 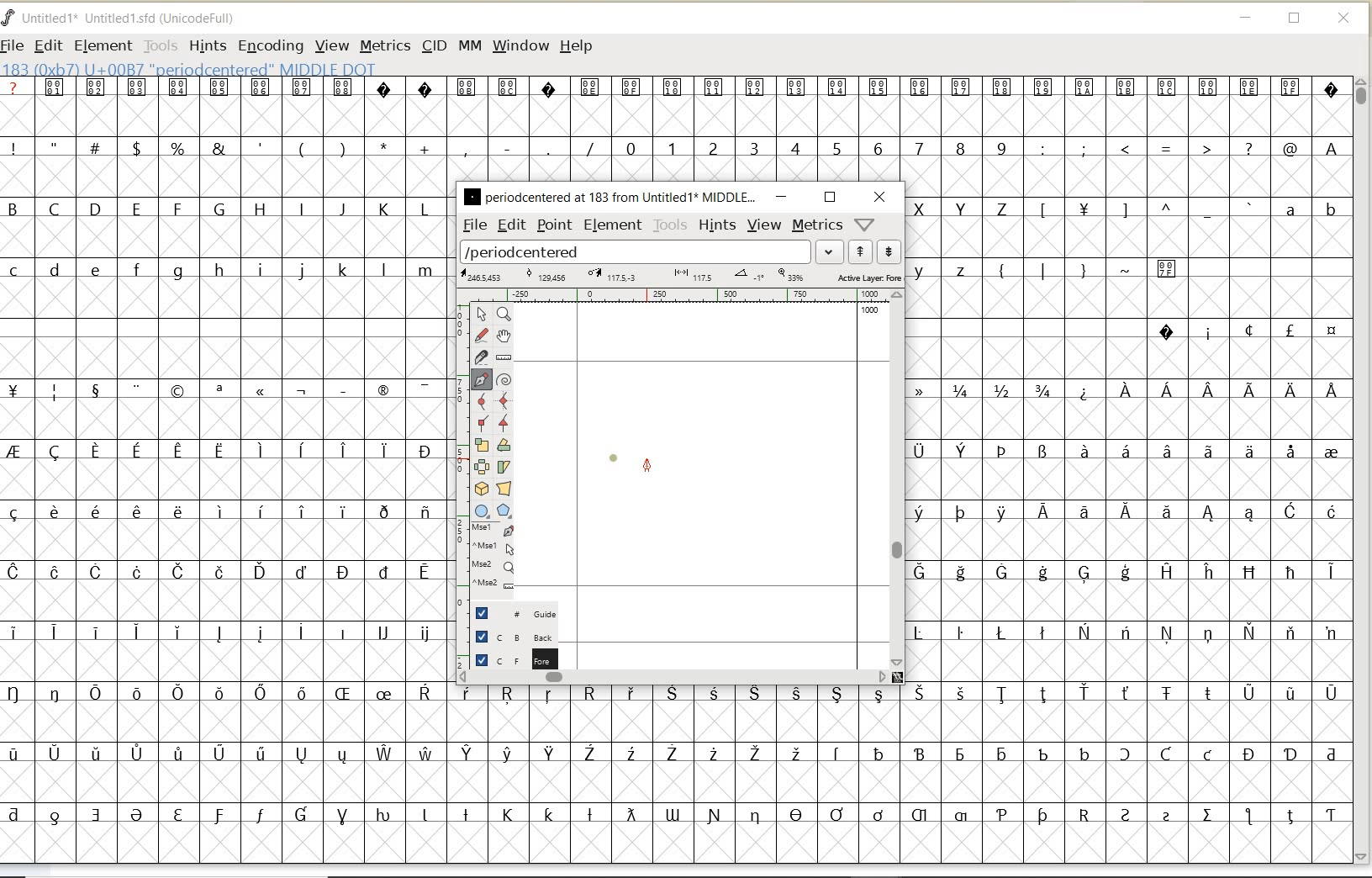 What do you see at coordinates (510, 225) in the screenshot?
I see `edit` at bounding box center [510, 225].